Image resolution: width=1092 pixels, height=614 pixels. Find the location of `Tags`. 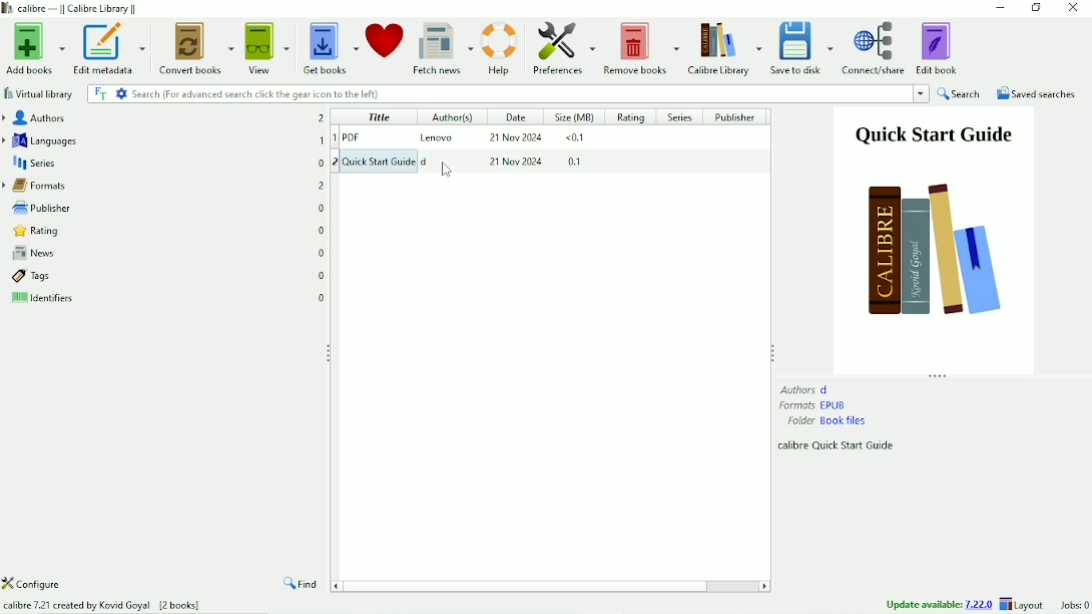

Tags is located at coordinates (168, 276).